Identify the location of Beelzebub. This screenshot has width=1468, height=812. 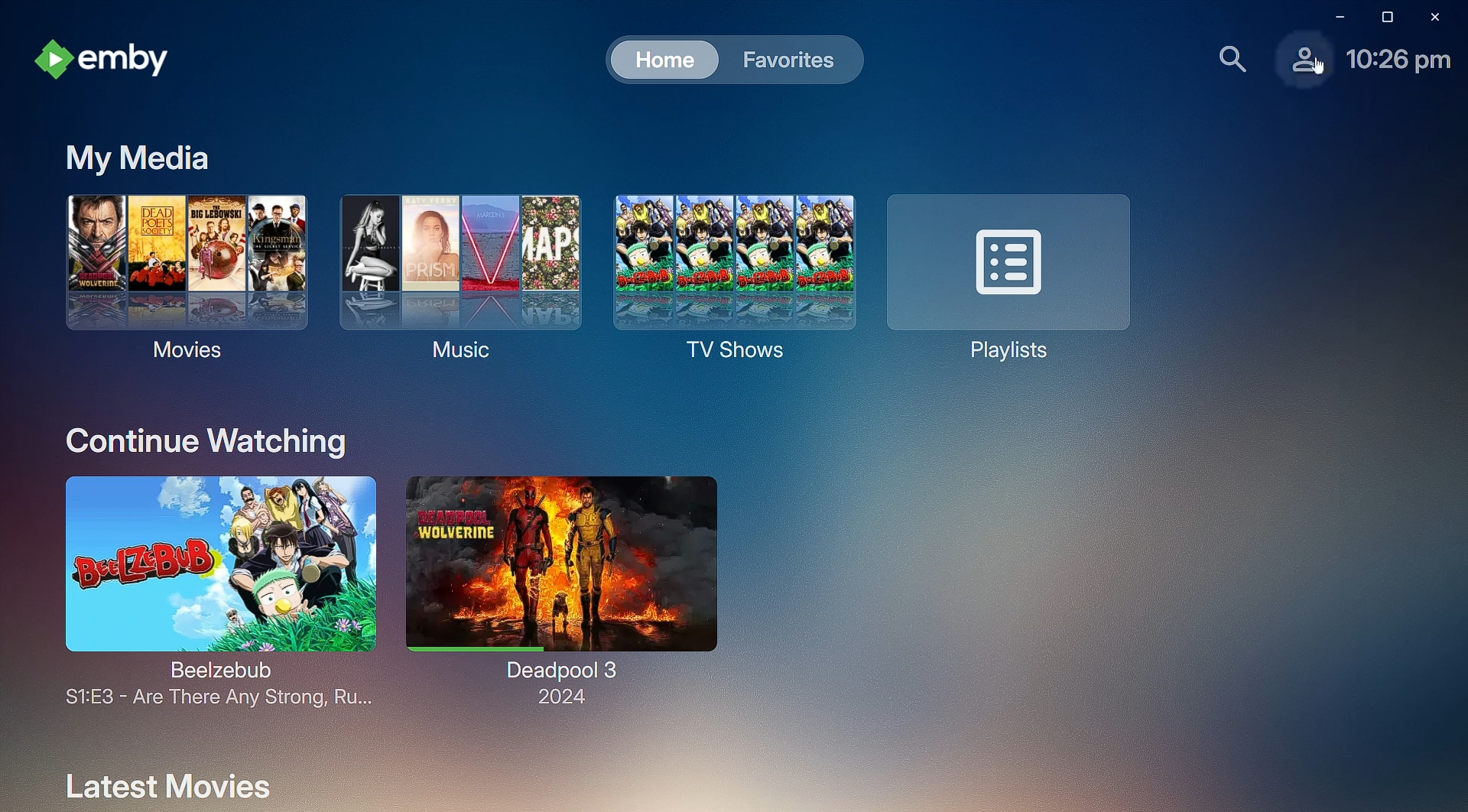
(211, 593).